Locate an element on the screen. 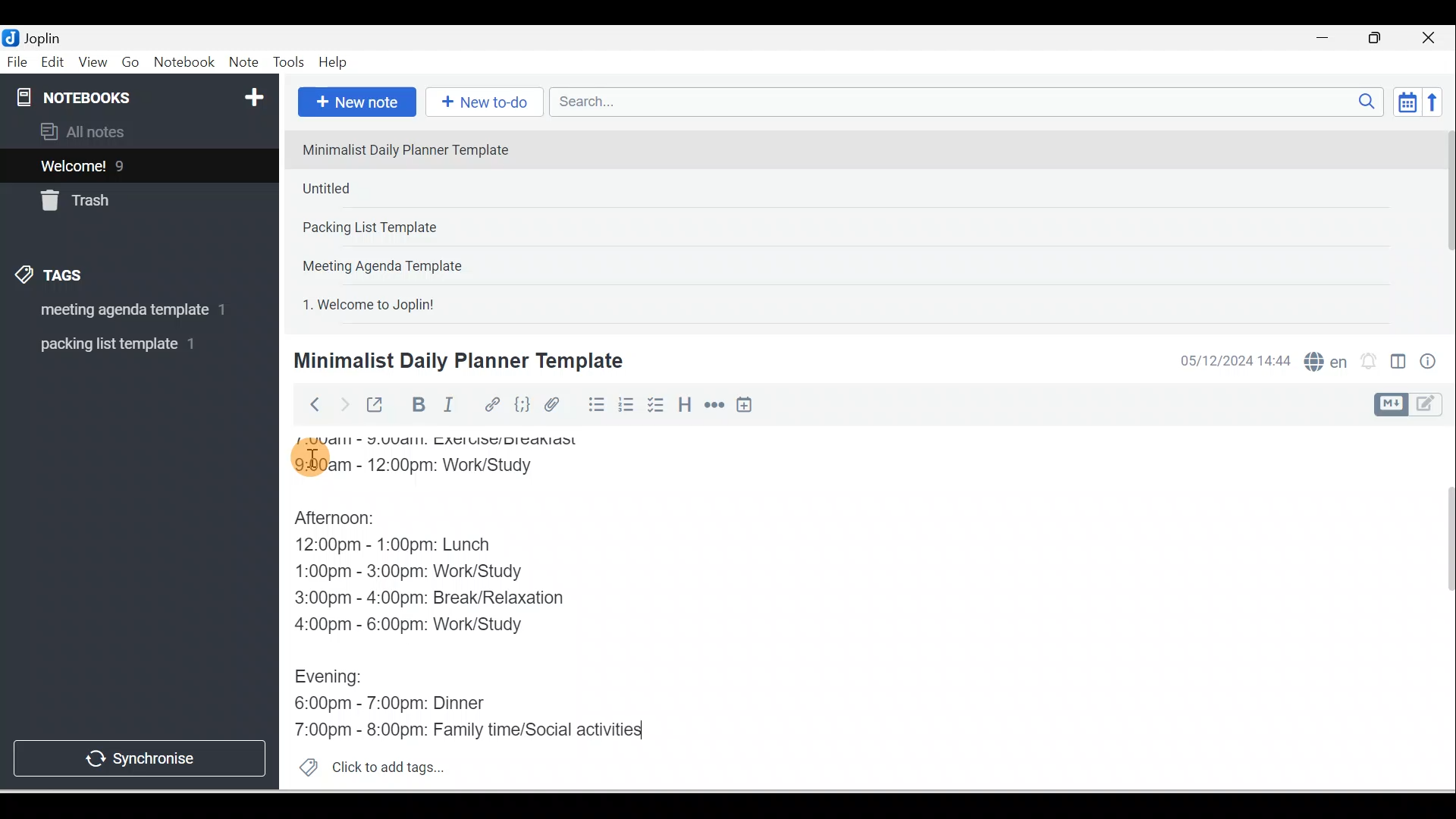 The width and height of the screenshot is (1456, 819). 7:00pm - 8:00pm: Family time/Social activities is located at coordinates (472, 730).